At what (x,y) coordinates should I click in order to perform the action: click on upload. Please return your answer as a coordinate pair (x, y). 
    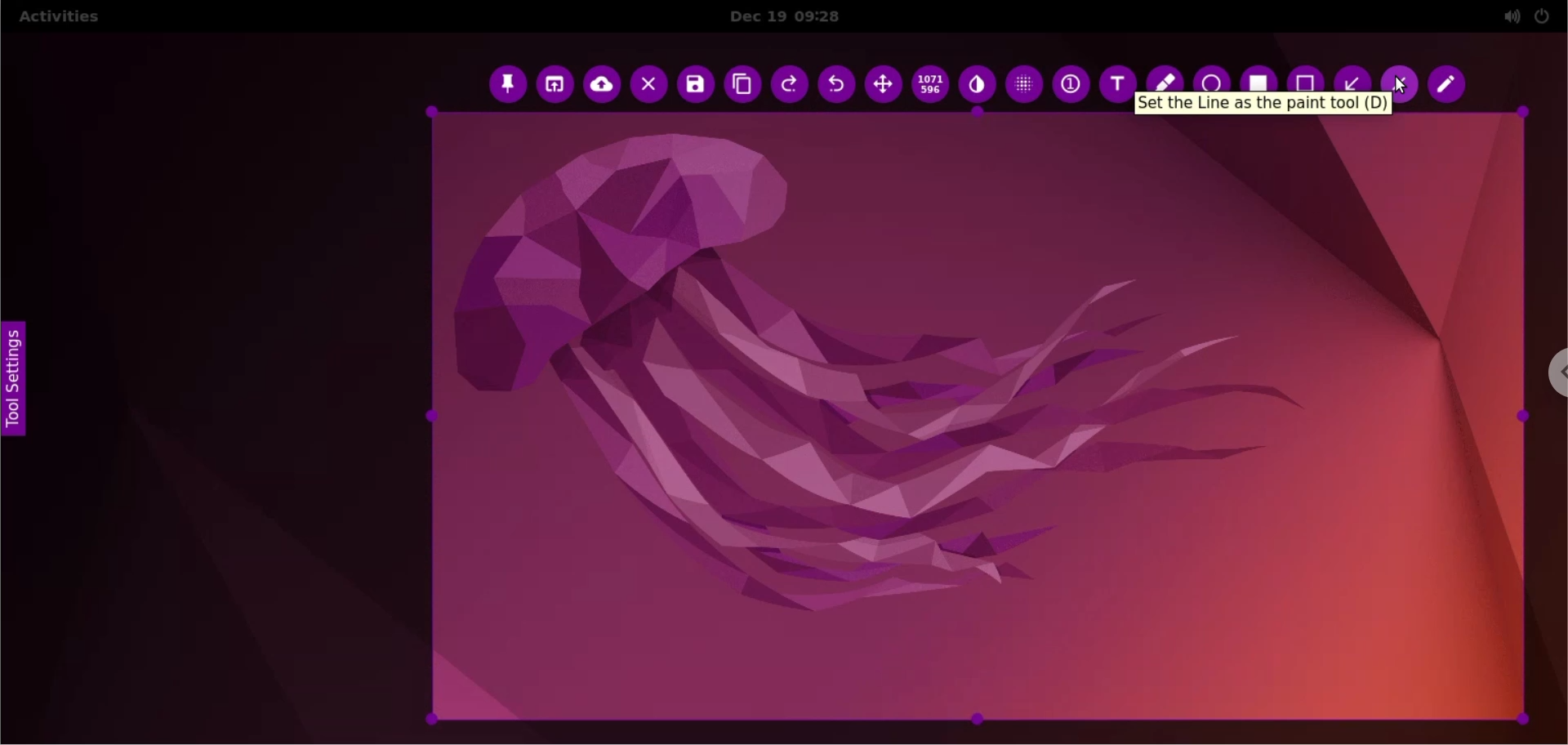
    Looking at the image, I should click on (604, 85).